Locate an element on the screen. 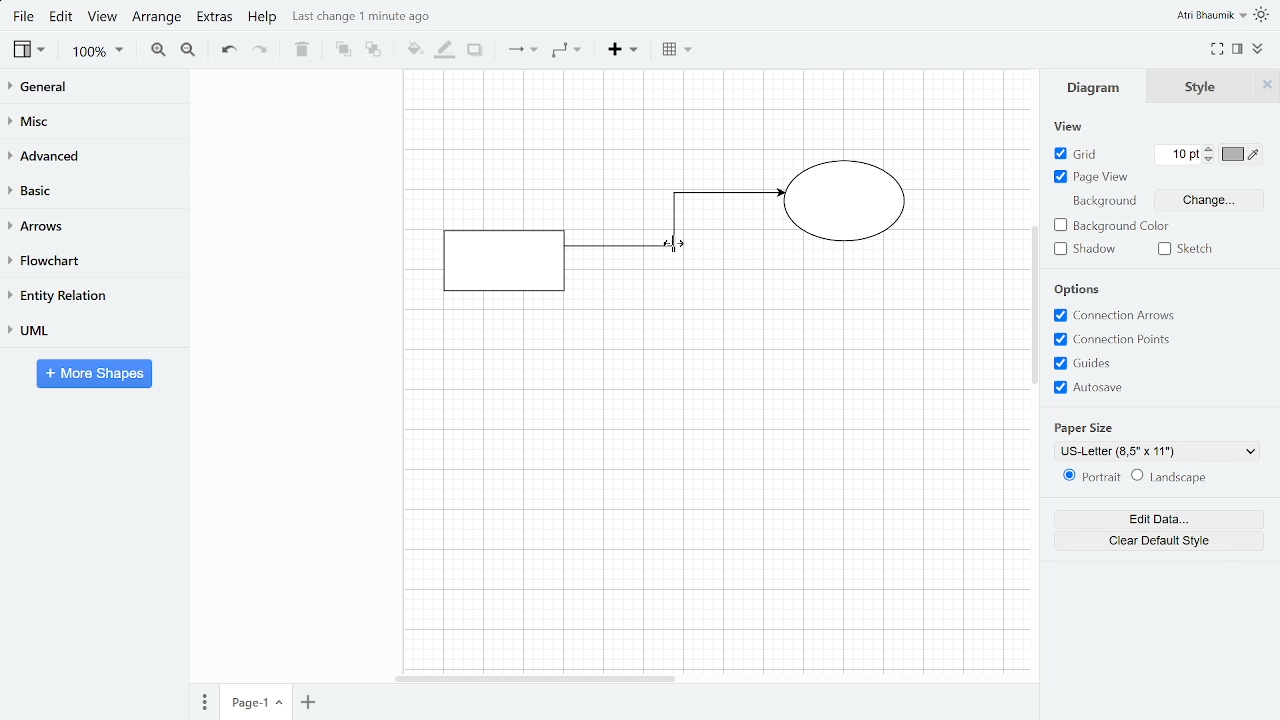  Connection points is located at coordinates (1116, 340).